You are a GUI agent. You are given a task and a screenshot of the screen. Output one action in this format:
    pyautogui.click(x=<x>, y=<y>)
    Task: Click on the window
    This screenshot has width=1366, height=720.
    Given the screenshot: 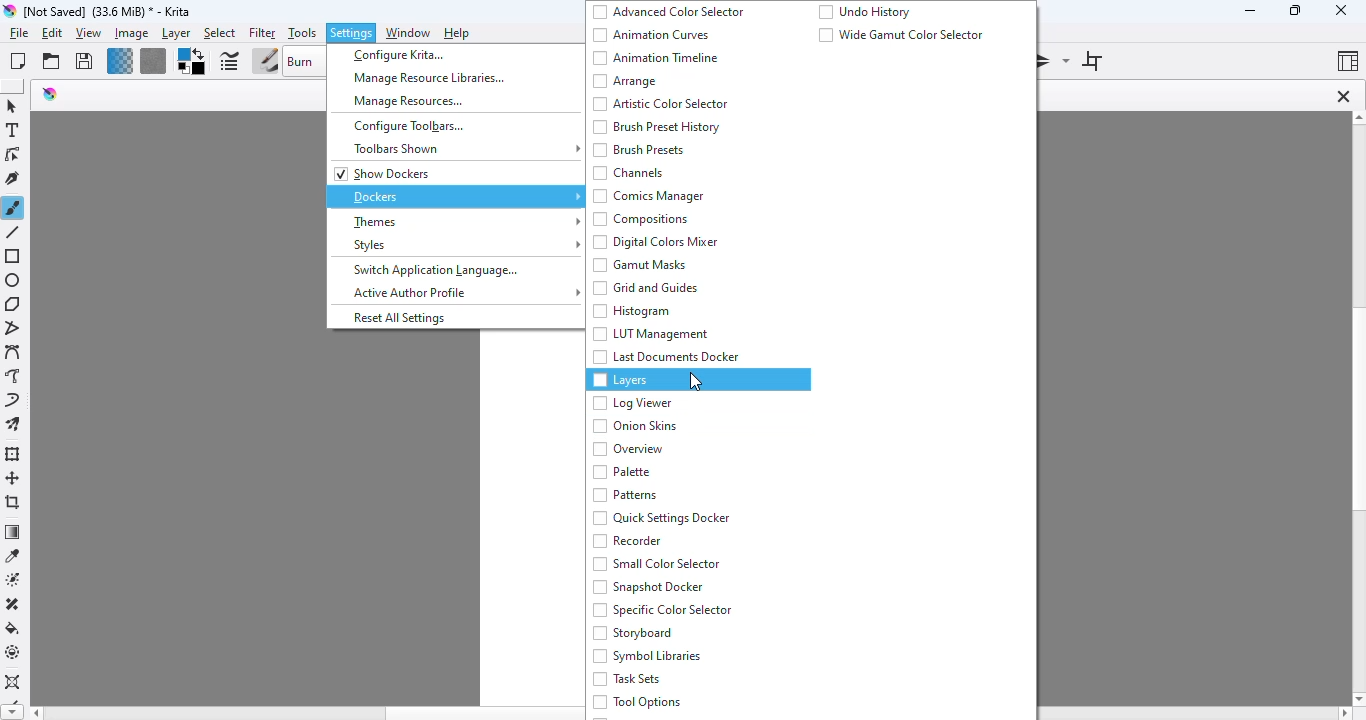 What is the action you would take?
    pyautogui.click(x=407, y=33)
    